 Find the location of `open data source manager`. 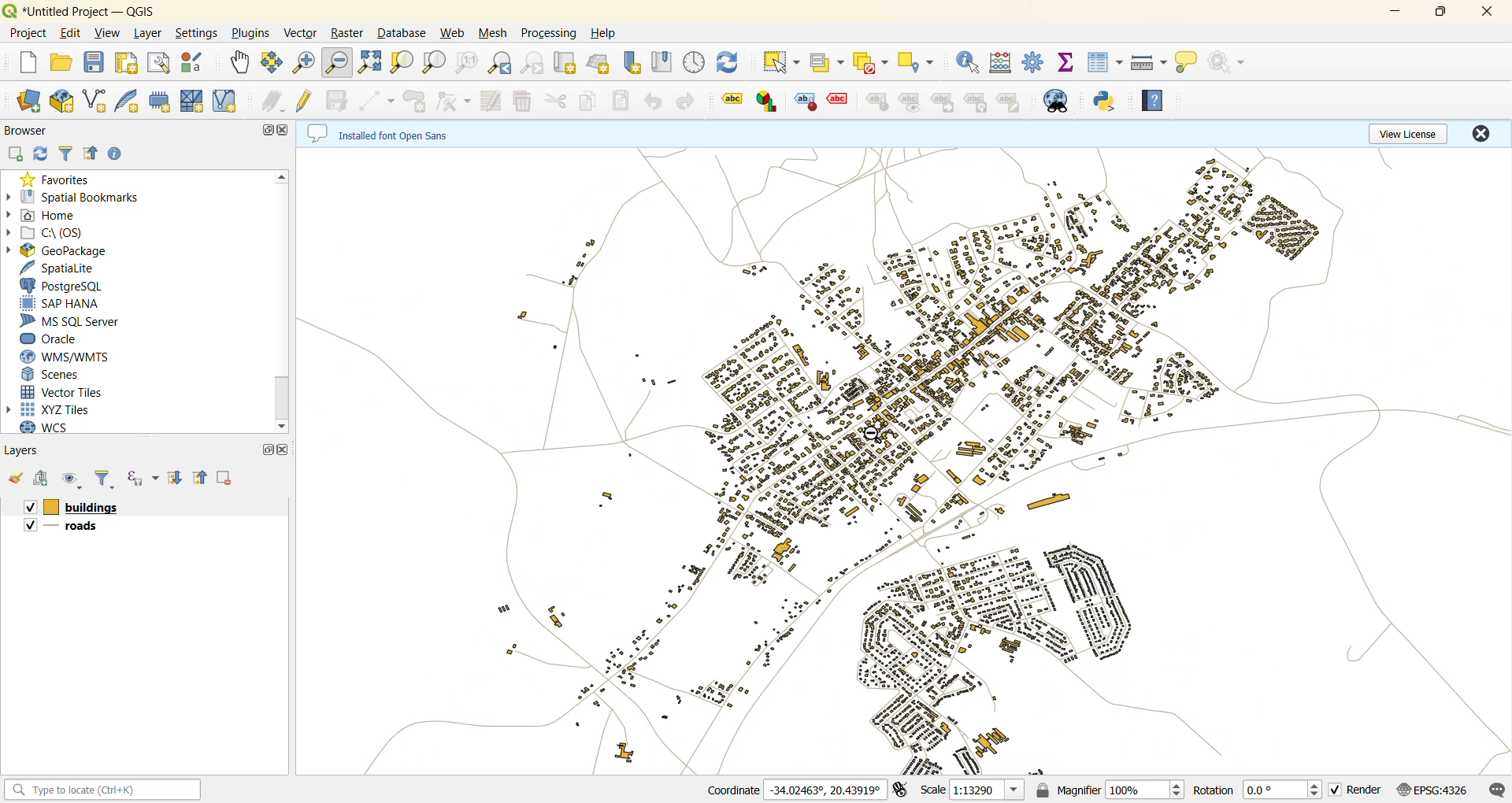

open data source manager is located at coordinates (28, 102).